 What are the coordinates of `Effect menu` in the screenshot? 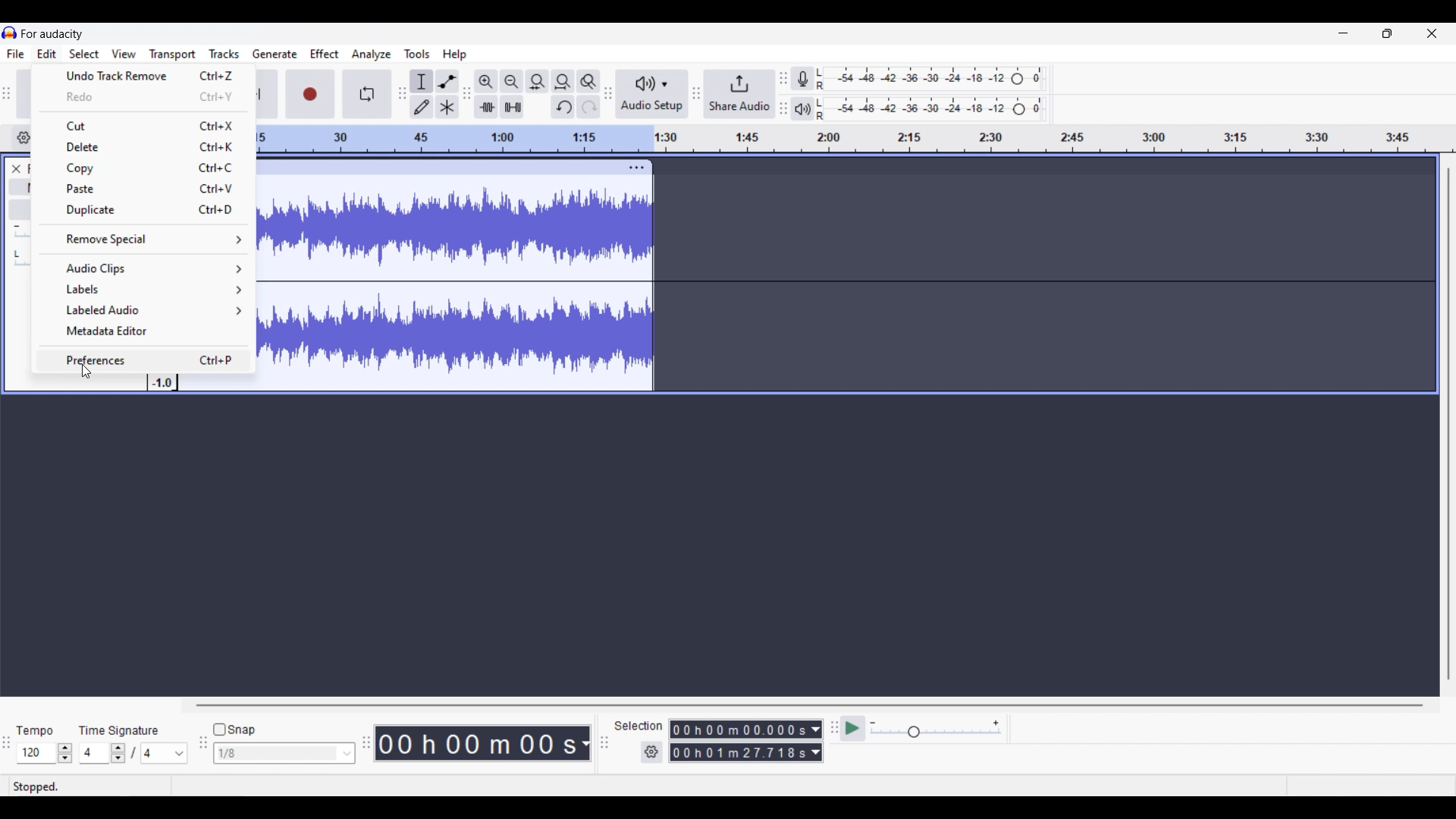 It's located at (325, 53).